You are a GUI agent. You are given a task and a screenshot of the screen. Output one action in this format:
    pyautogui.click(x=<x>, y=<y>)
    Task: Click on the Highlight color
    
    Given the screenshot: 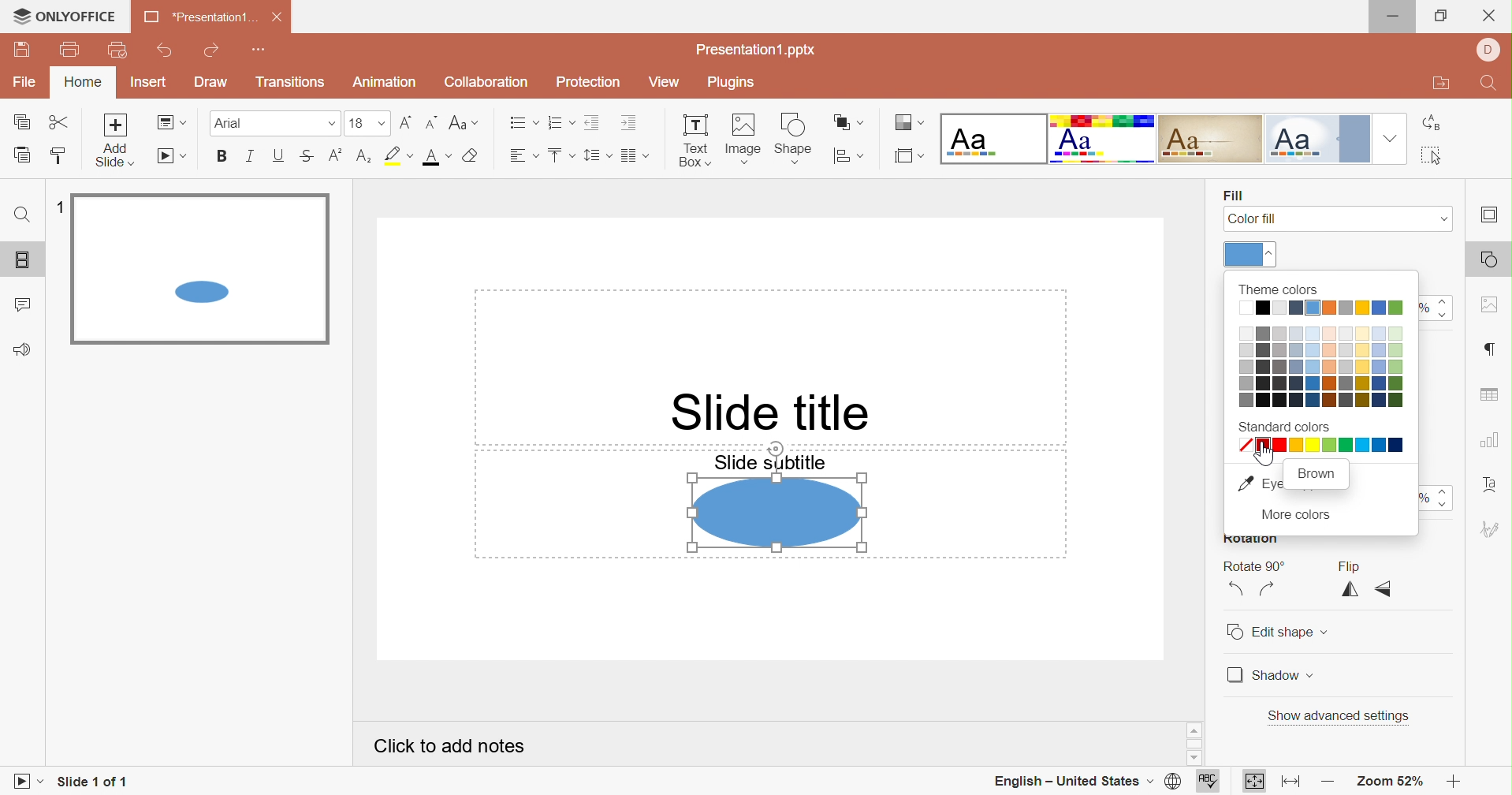 What is the action you would take?
    pyautogui.click(x=396, y=155)
    